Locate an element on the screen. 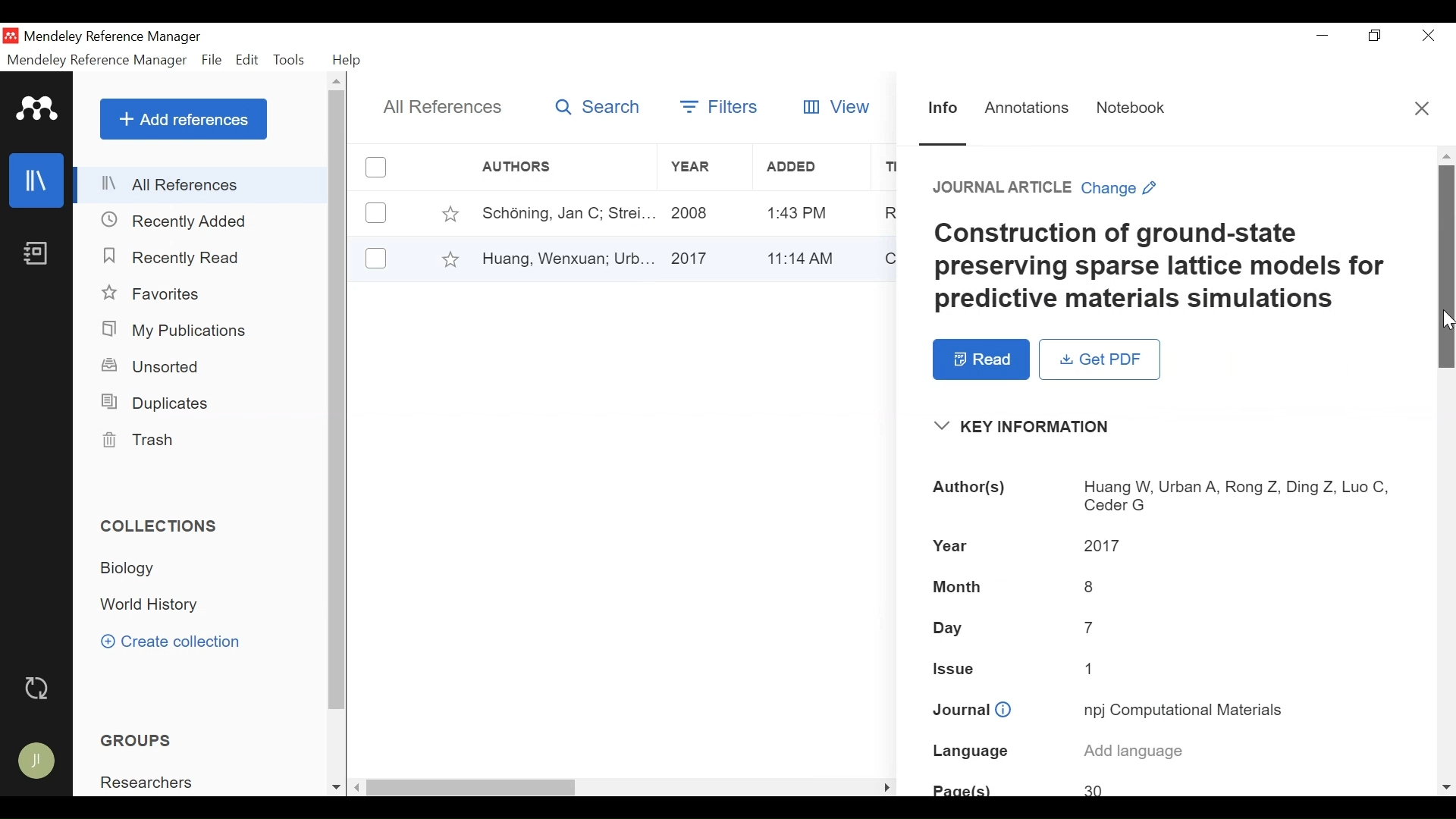 Image resolution: width=1456 pixels, height=819 pixels. Scroll down is located at coordinates (336, 789).